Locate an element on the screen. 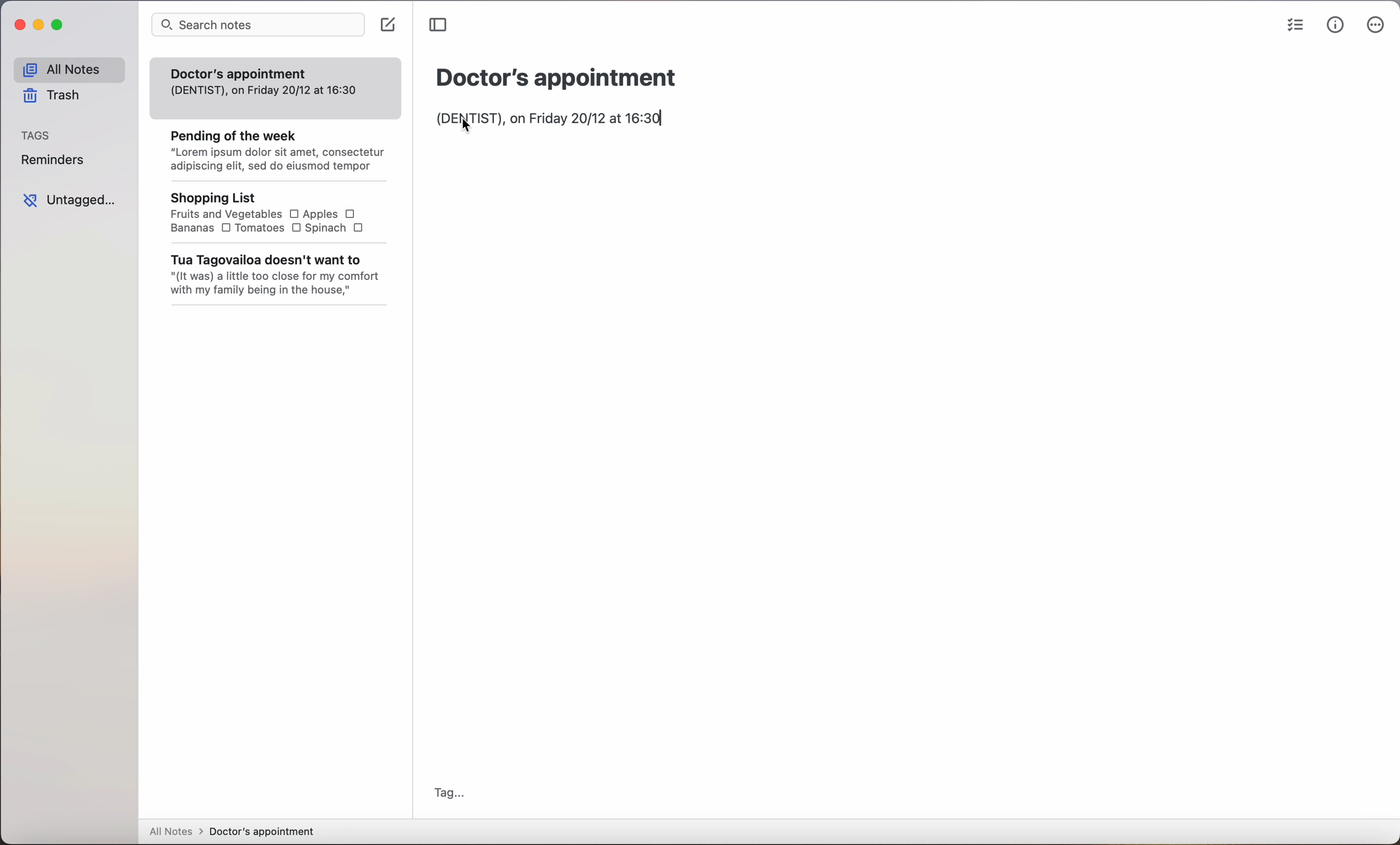 Image resolution: width=1400 pixels, height=845 pixels. cursor is located at coordinates (466, 127).